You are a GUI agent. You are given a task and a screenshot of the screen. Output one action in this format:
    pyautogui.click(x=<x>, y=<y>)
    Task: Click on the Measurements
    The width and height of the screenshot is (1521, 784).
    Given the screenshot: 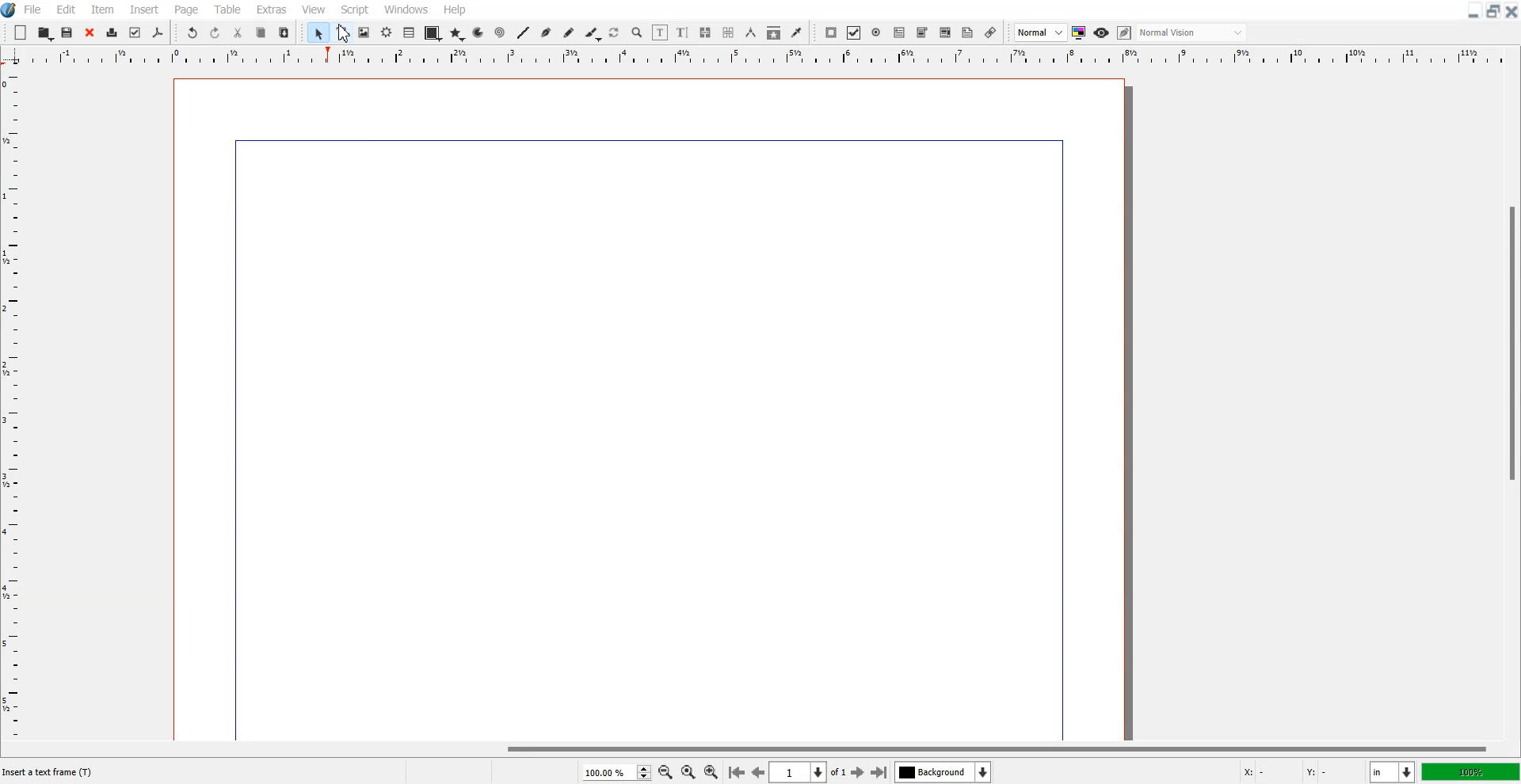 What is the action you would take?
    pyautogui.click(x=752, y=32)
    